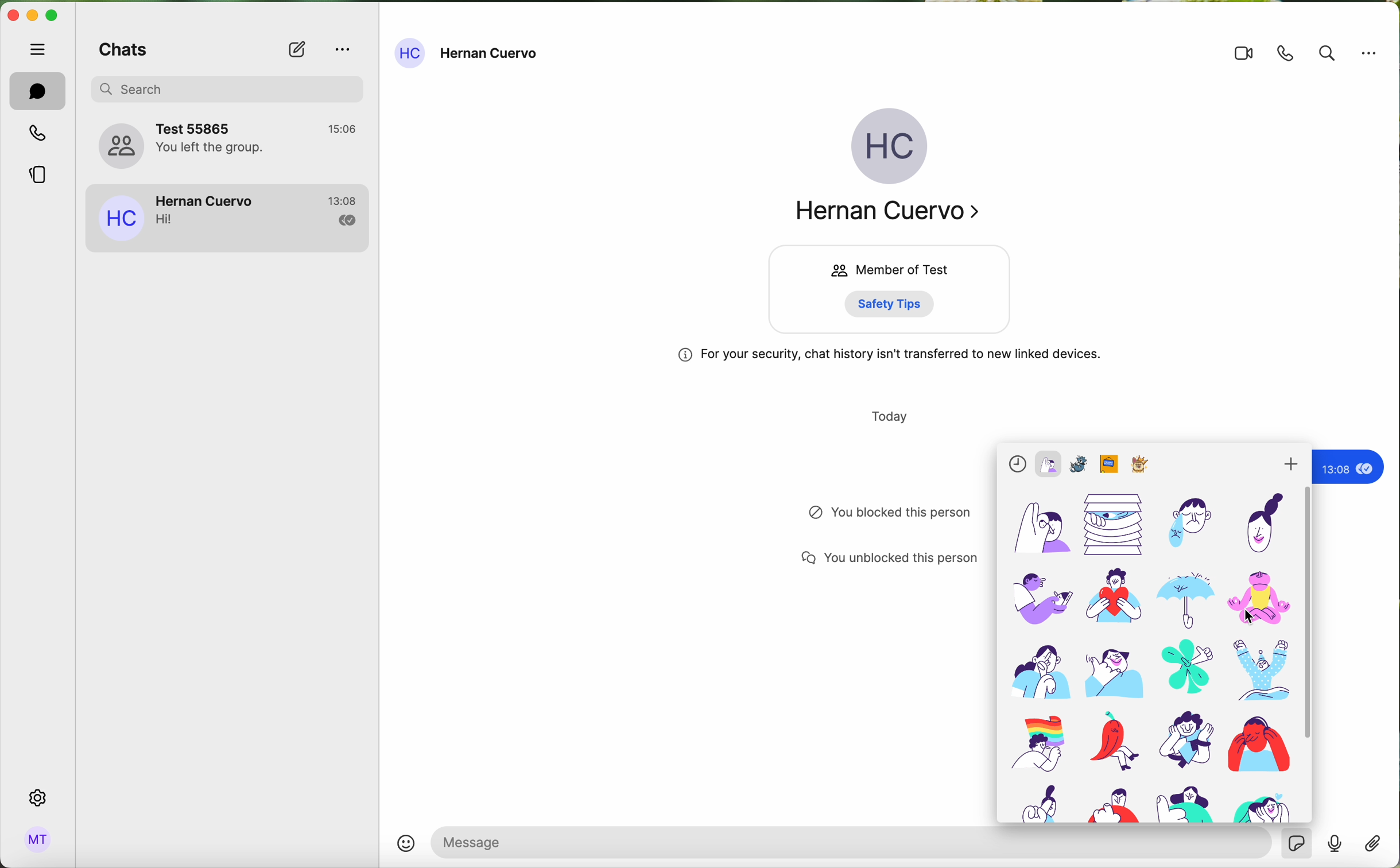 This screenshot has width=1400, height=868. I want to click on new chat, so click(296, 51).